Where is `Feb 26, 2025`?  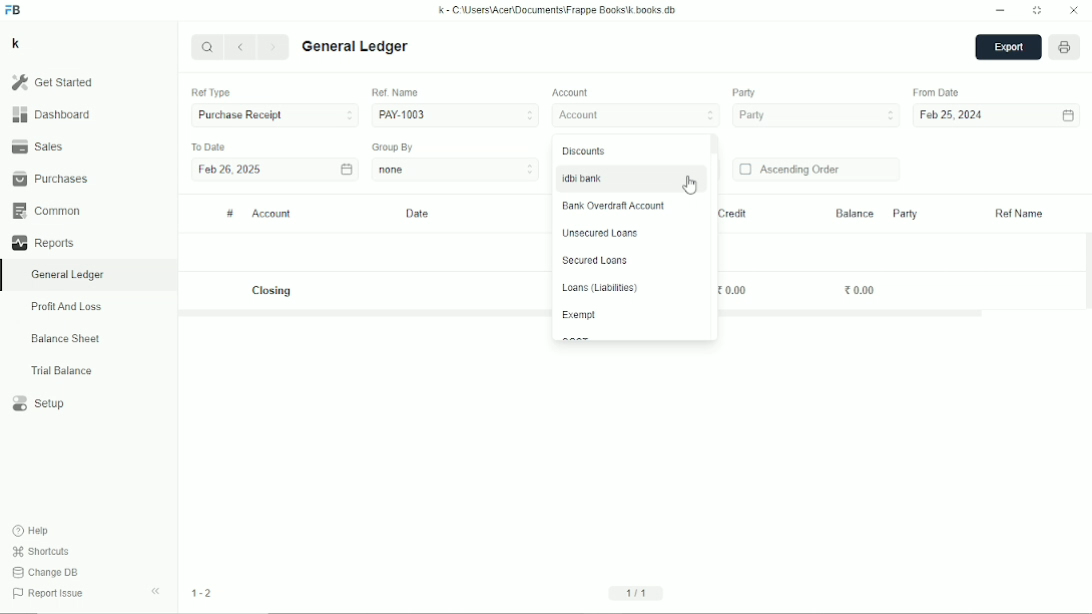
Feb 26, 2025 is located at coordinates (230, 171).